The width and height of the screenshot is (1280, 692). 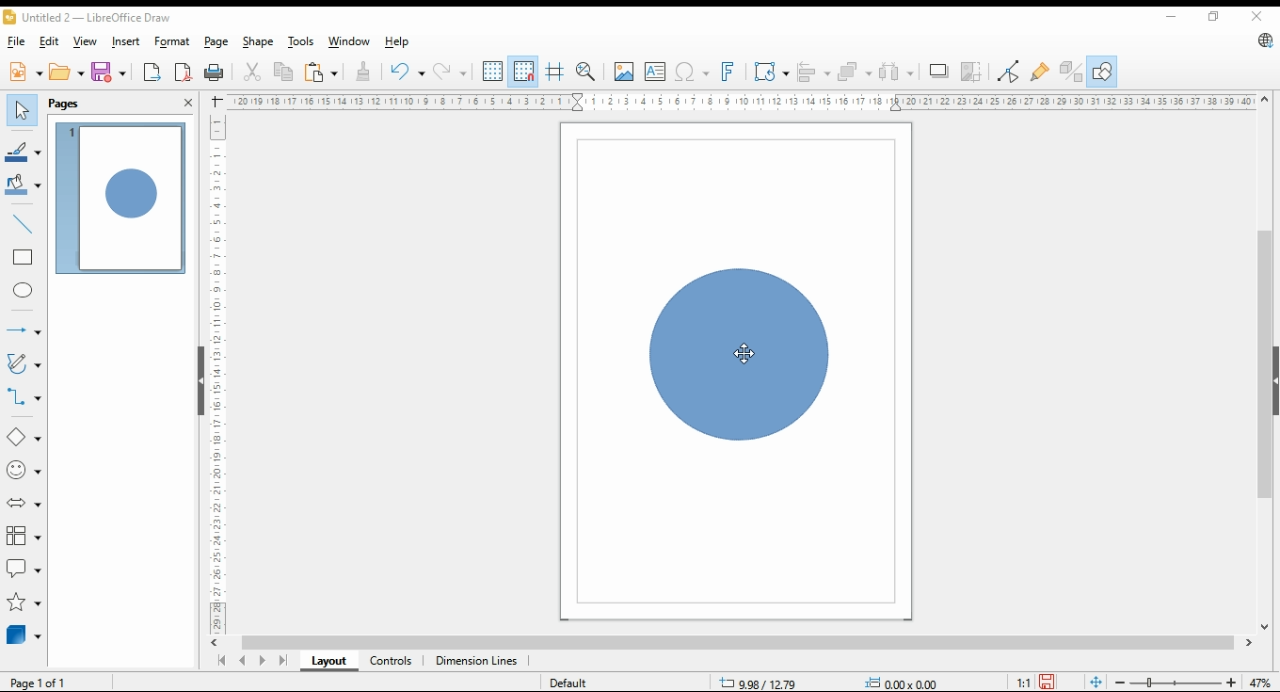 I want to click on export directly as pdf, so click(x=184, y=71).